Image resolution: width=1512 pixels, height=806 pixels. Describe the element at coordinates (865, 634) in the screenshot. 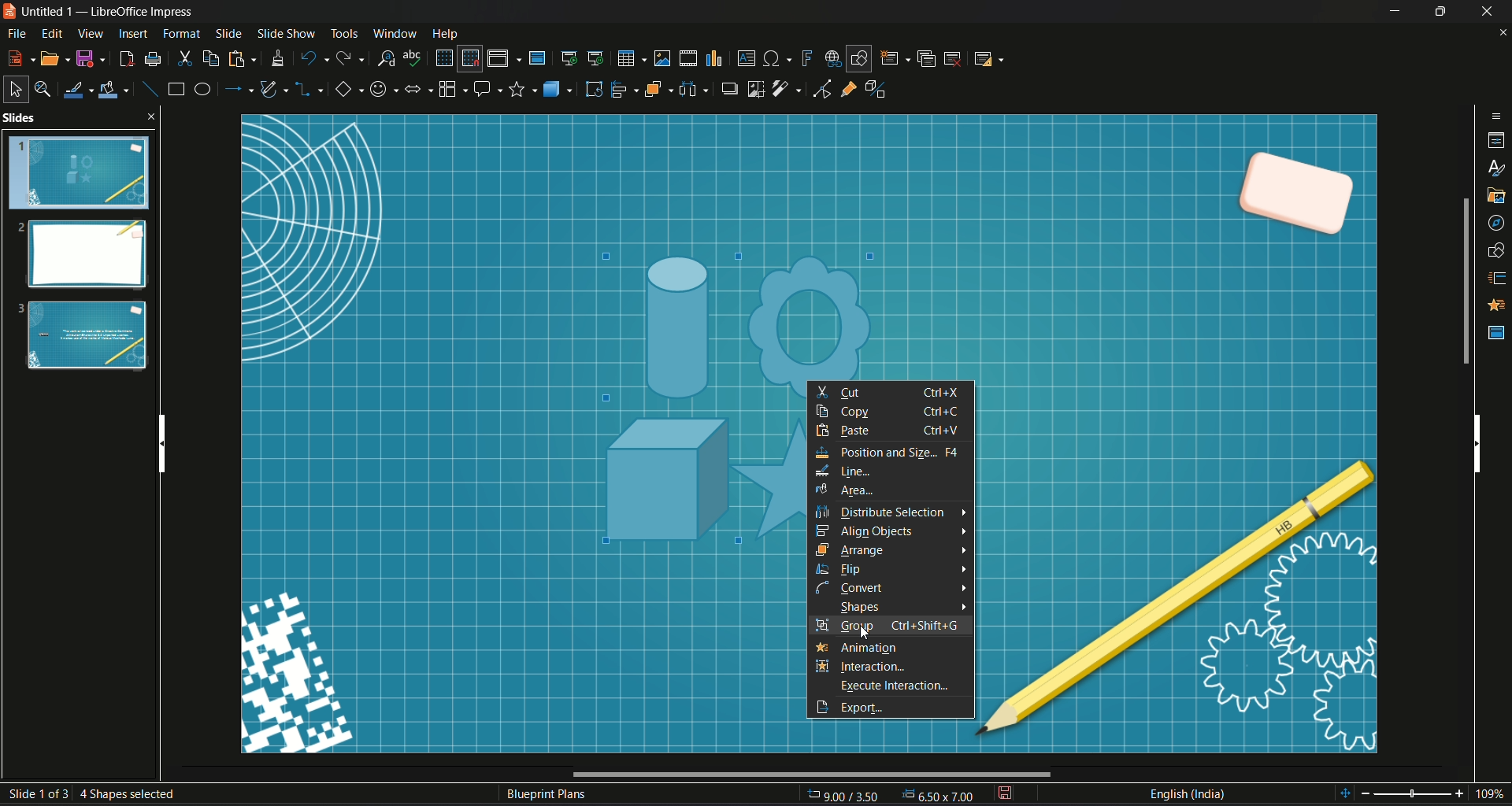

I see `cursor` at that location.